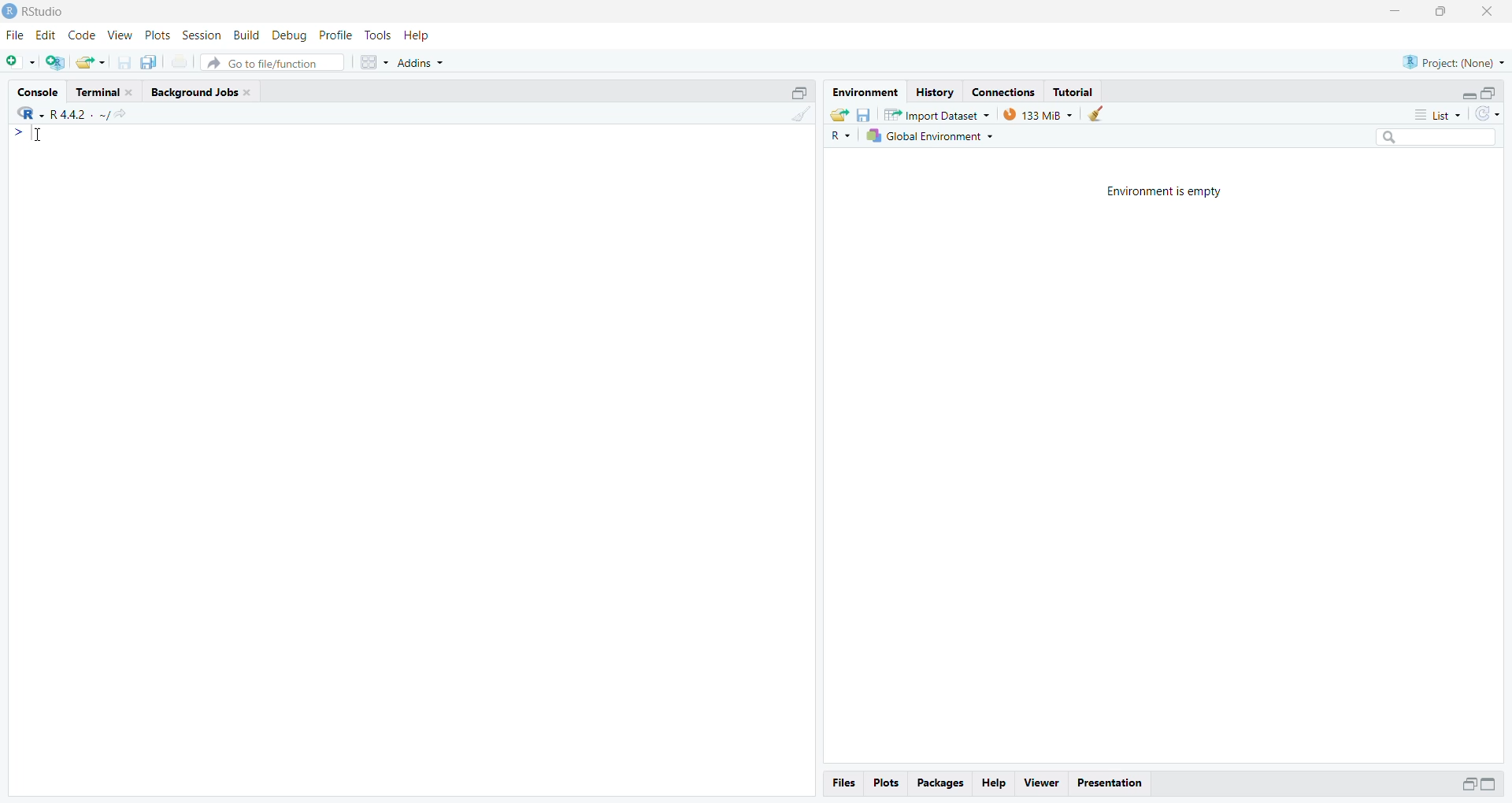 The width and height of the screenshot is (1512, 803). Describe the element at coordinates (83, 38) in the screenshot. I see `Code` at that location.